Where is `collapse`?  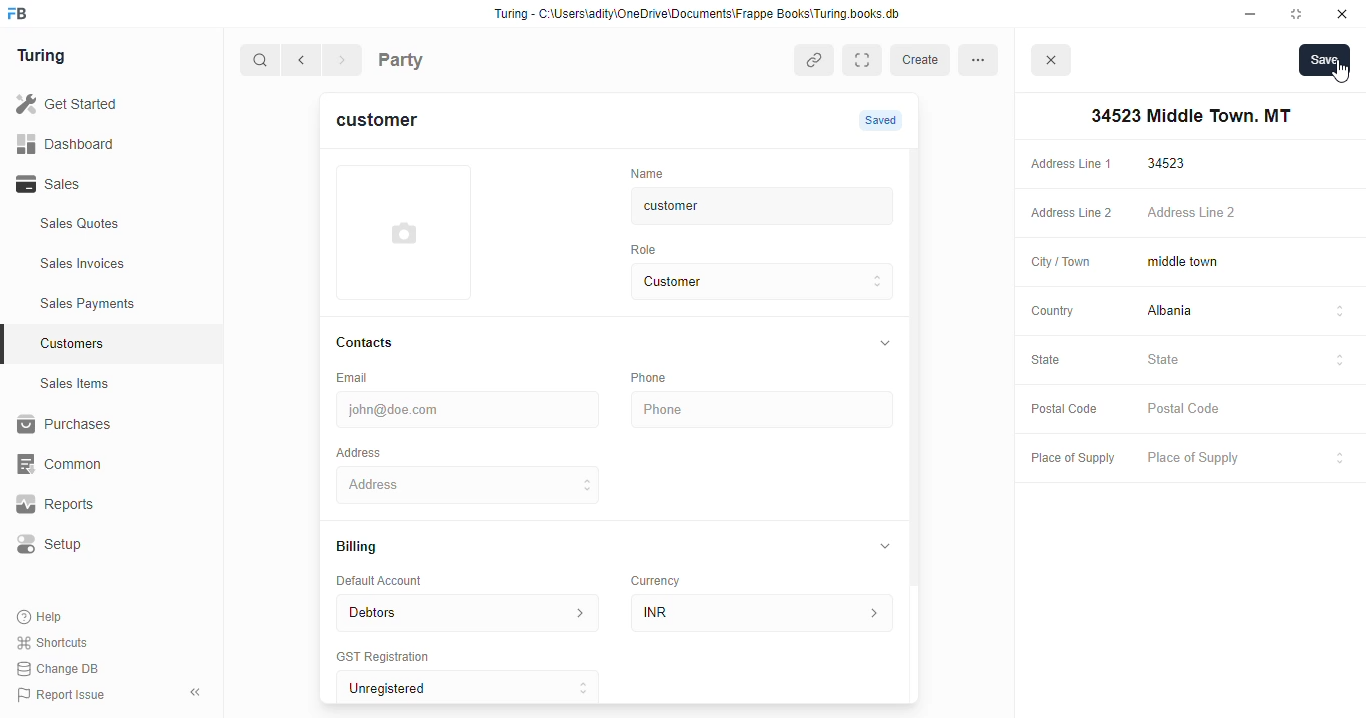
collapse is located at coordinates (886, 545).